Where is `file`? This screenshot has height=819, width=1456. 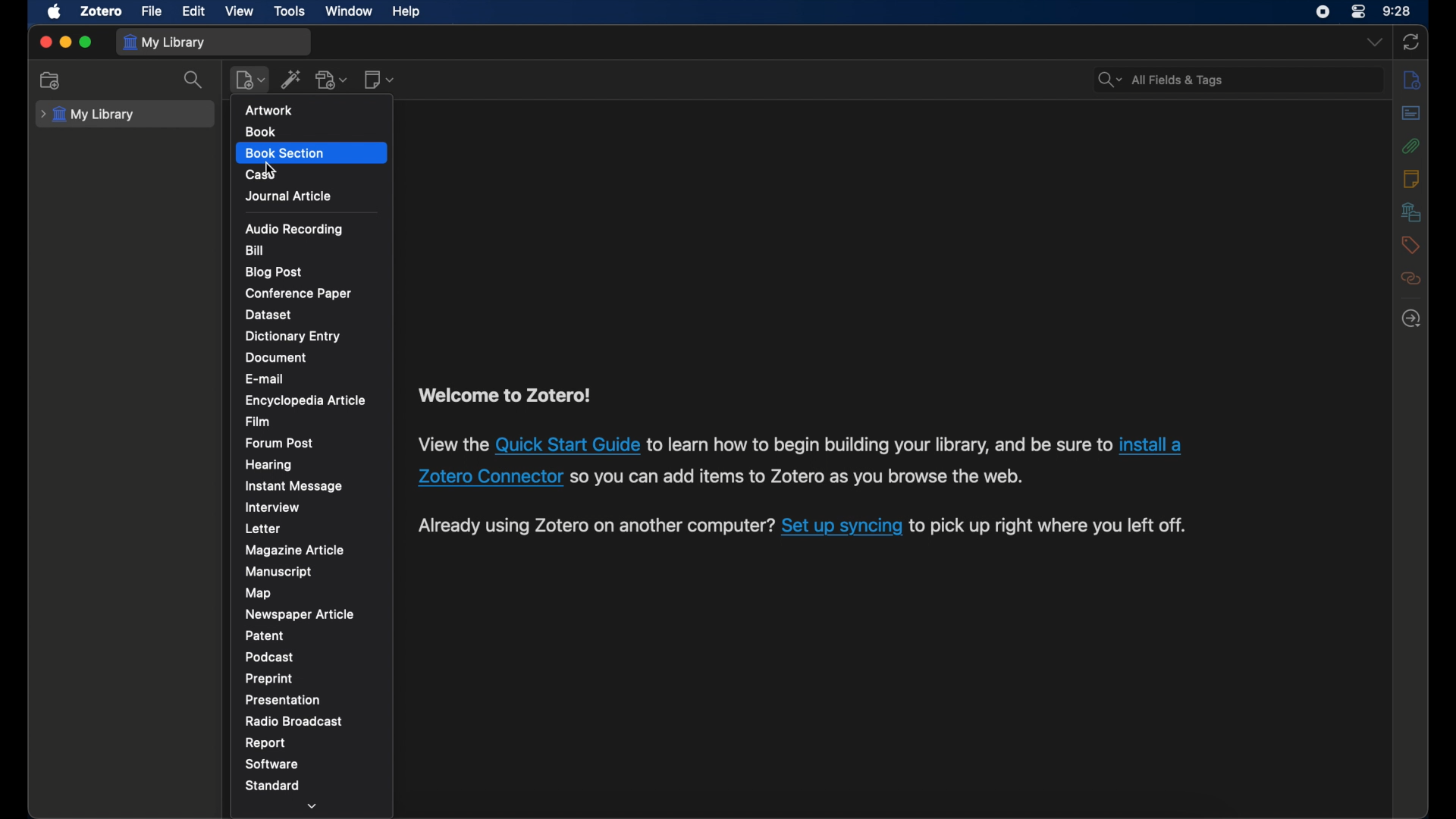
file is located at coordinates (152, 12).